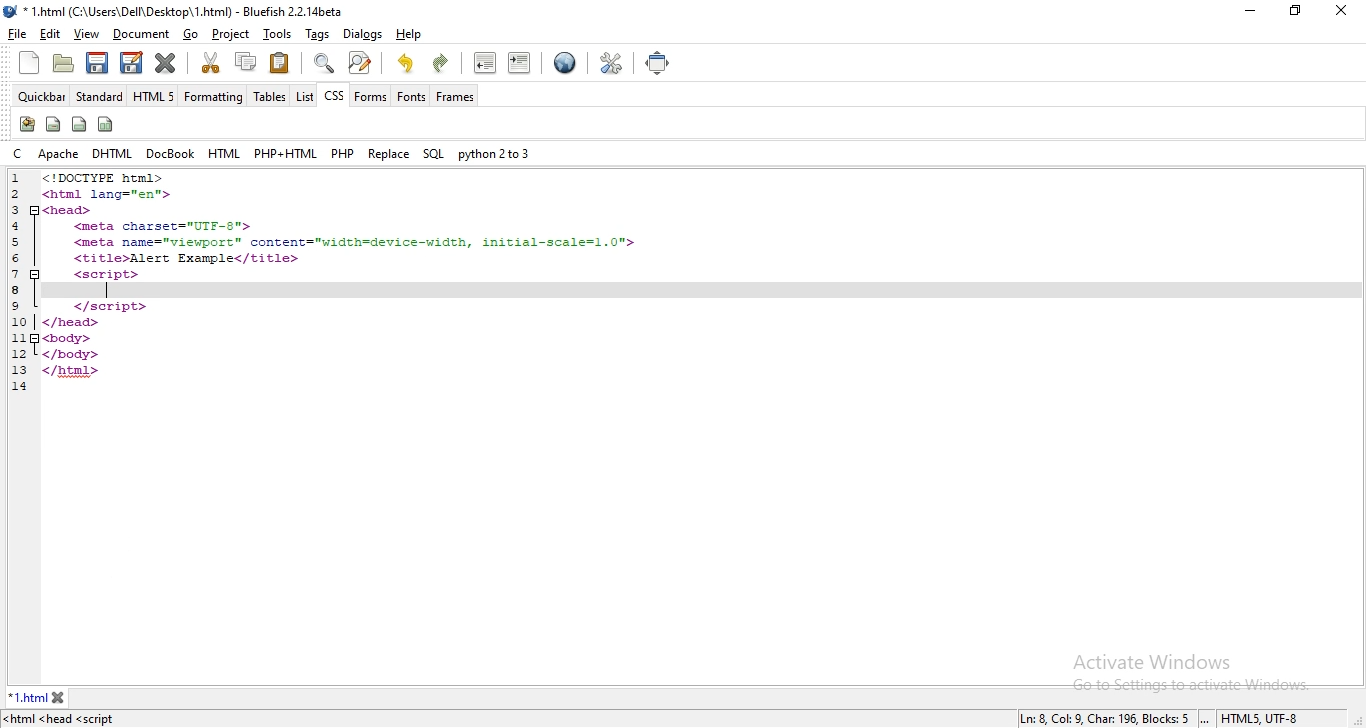 The width and height of the screenshot is (1366, 728). What do you see at coordinates (15, 305) in the screenshot?
I see `9` at bounding box center [15, 305].